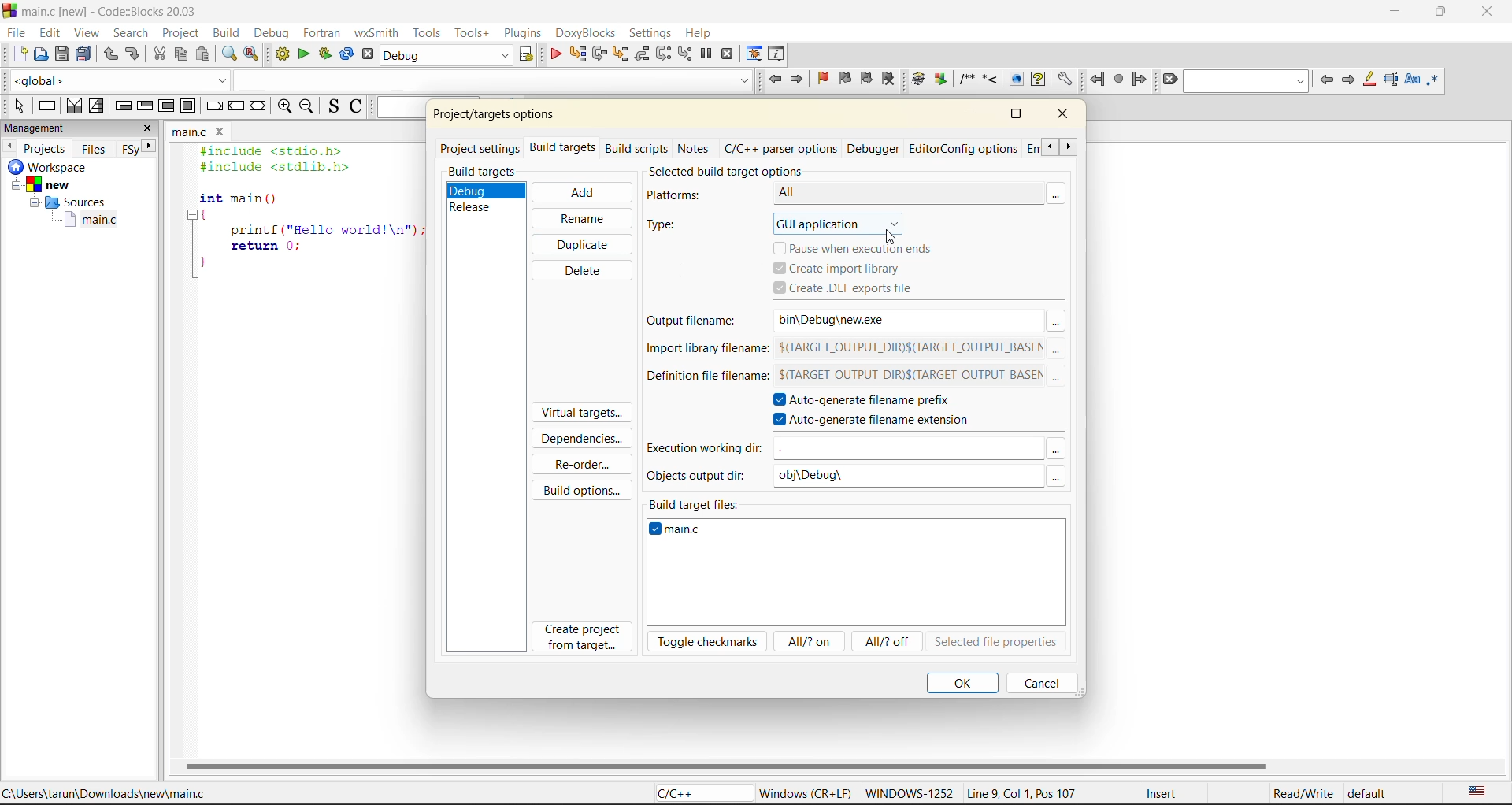 The height and width of the screenshot is (805, 1512). Describe the element at coordinates (47, 148) in the screenshot. I see `projects` at that location.